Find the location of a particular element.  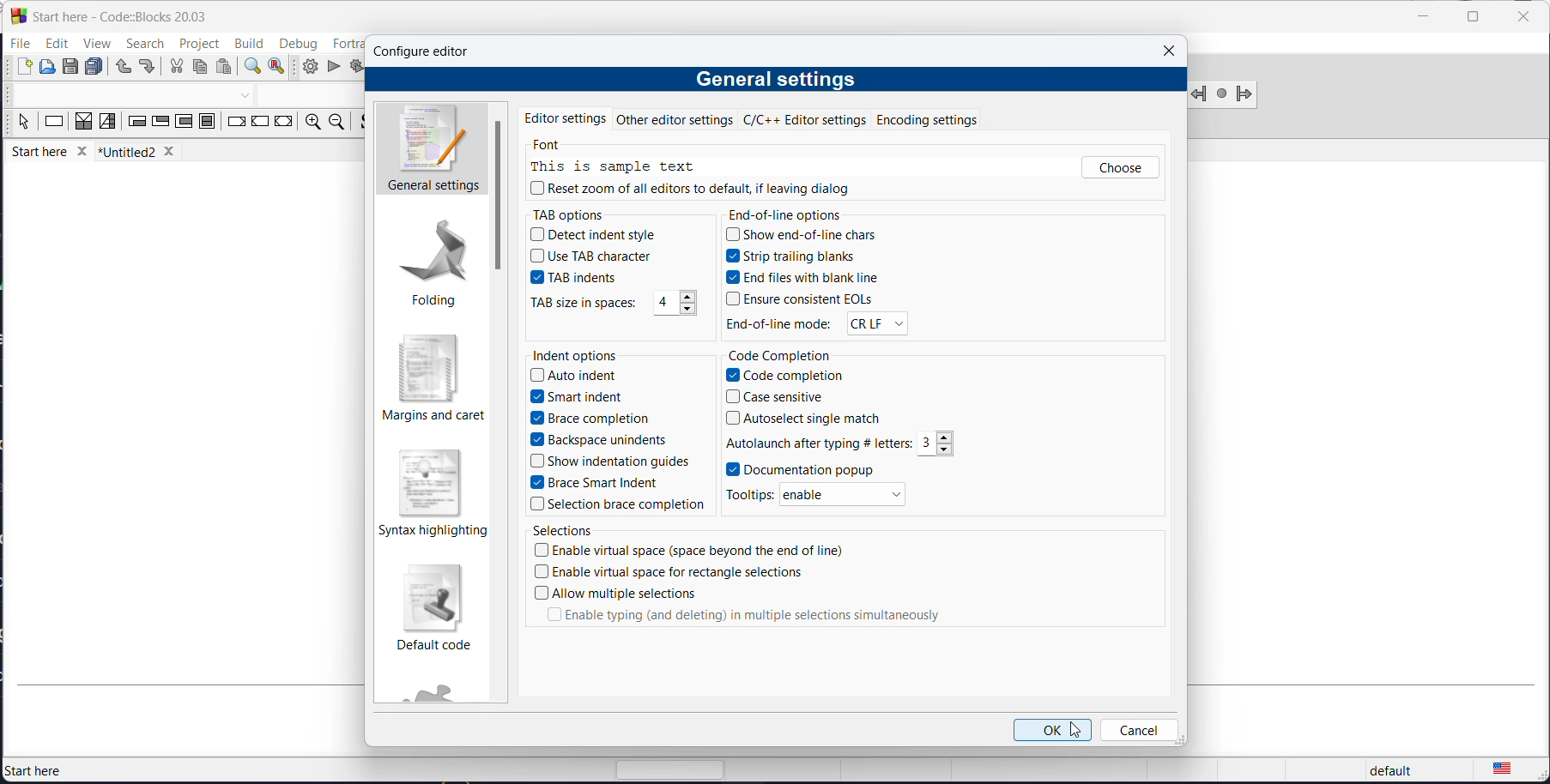

strip trailing blanks is located at coordinates (802, 257).